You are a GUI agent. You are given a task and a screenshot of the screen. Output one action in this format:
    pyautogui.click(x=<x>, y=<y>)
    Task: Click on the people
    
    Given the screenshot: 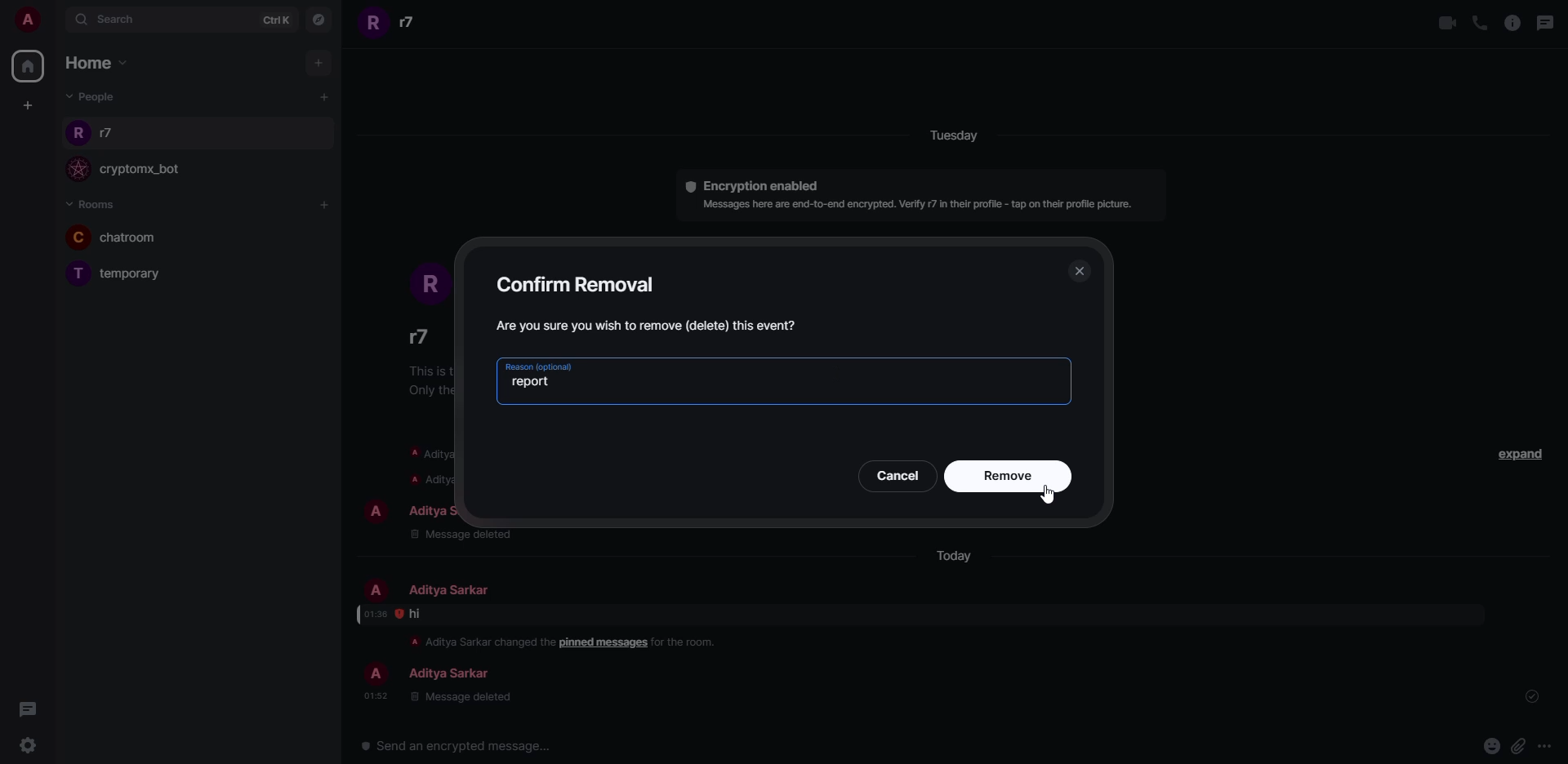 What is the action you would take?
    pyautogui.click(x=448, y=509)
    